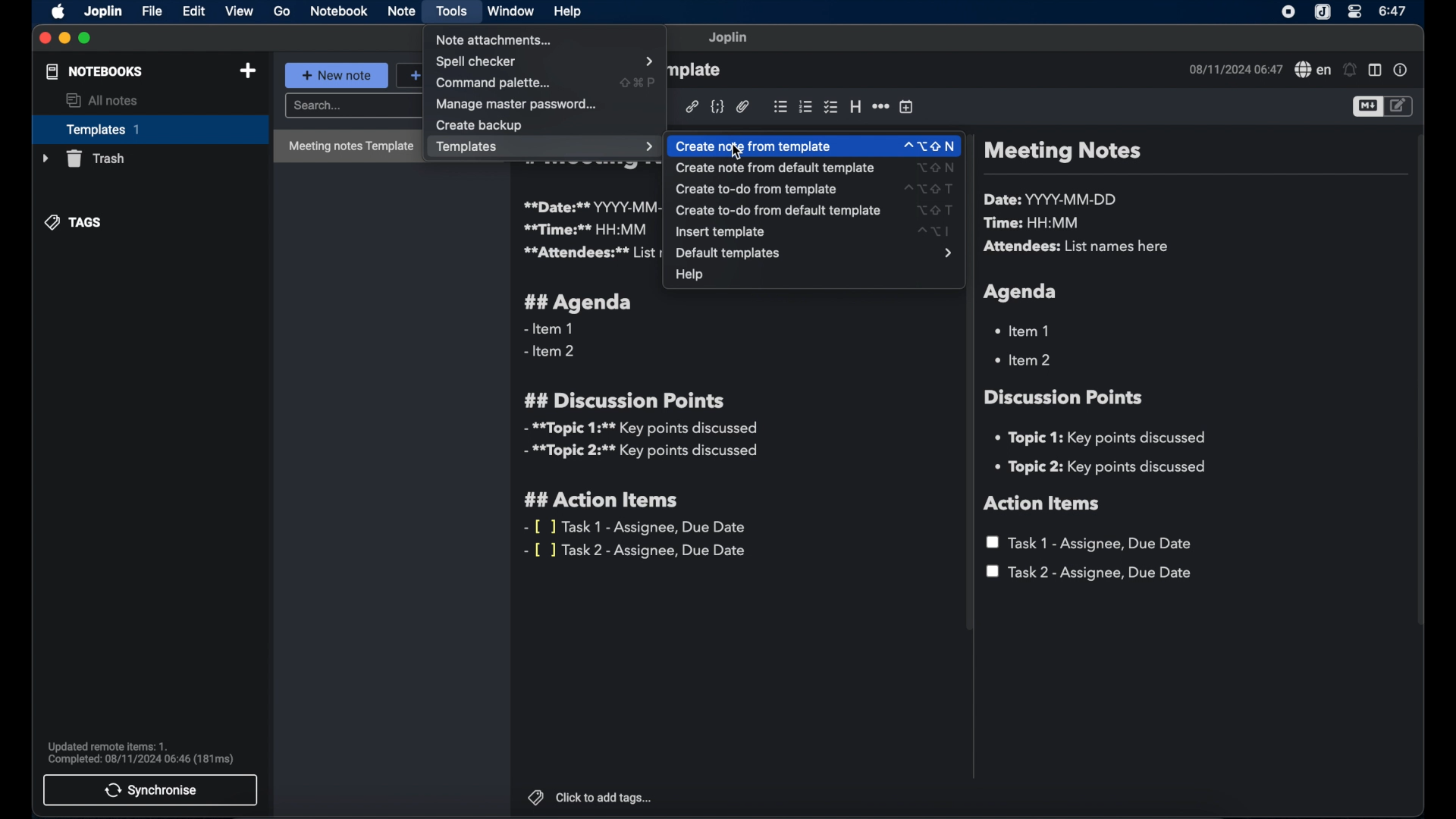 The height and width of the screenshot is (819, 1456). I want to click on meeting notes template, so click(347, 146).